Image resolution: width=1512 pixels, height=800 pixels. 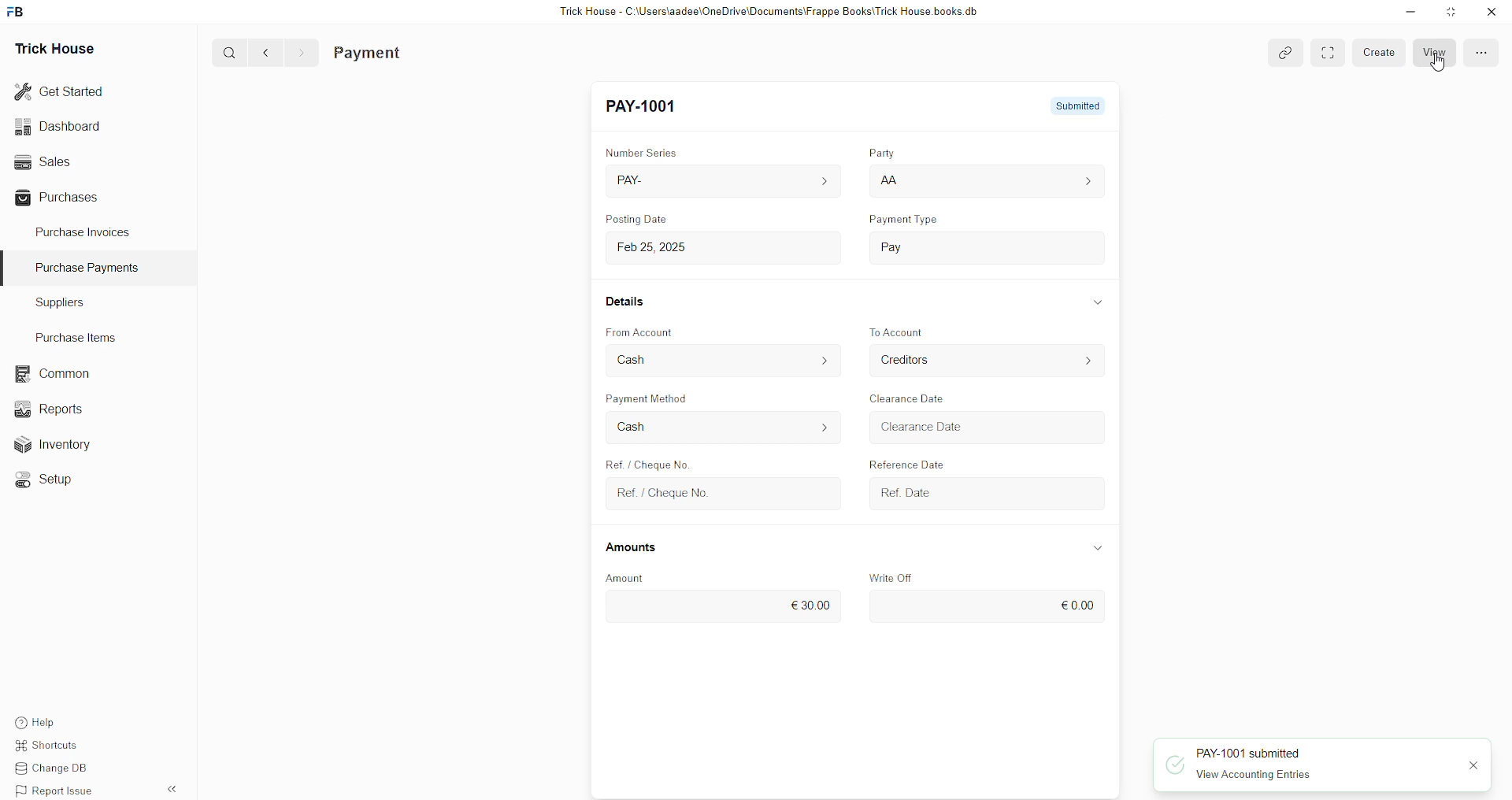 I want to click on €30.00, so click(x=814, y=602).